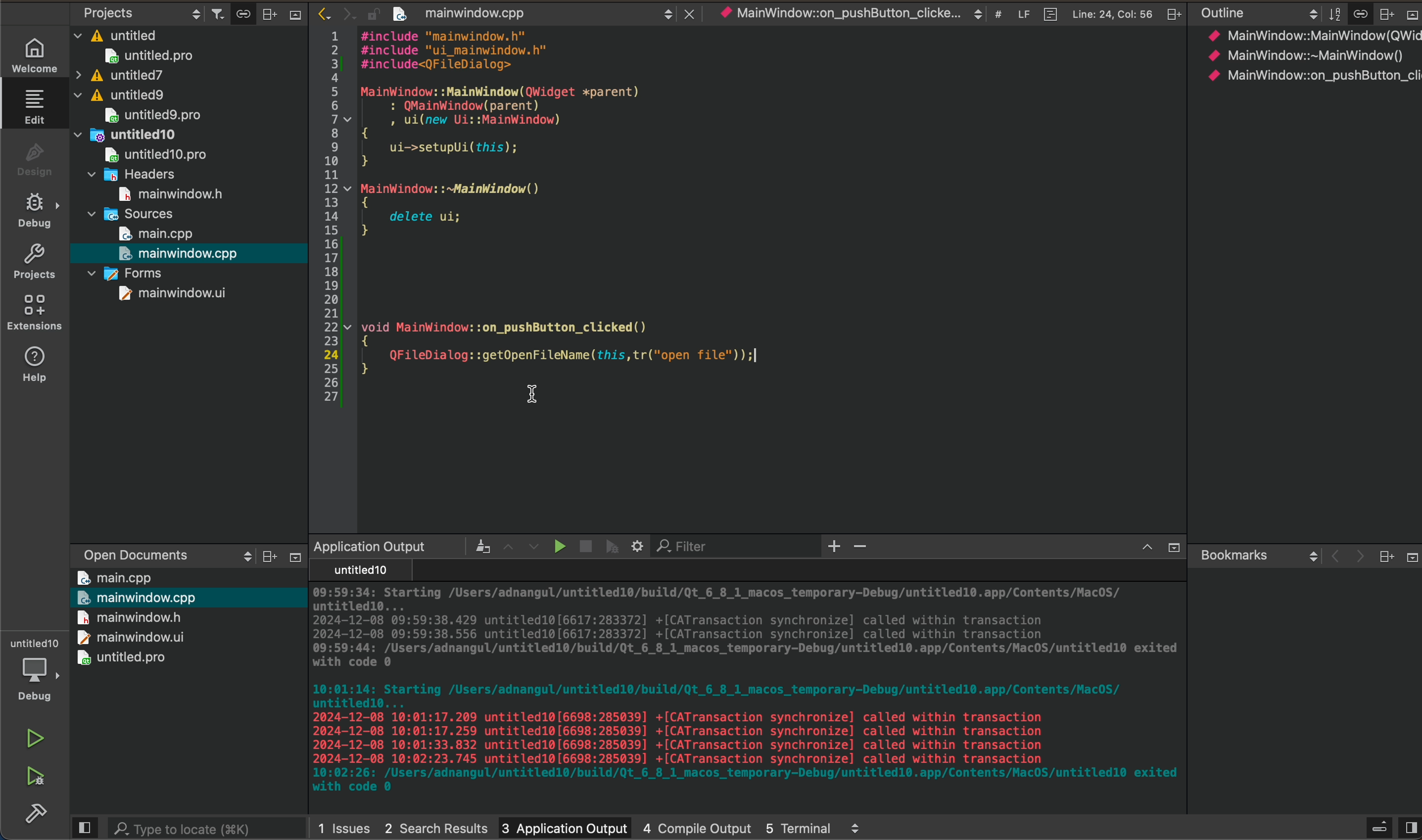 This screenshot has width=1422, height=840. I want to click on Open Documents, so click(127, 551).